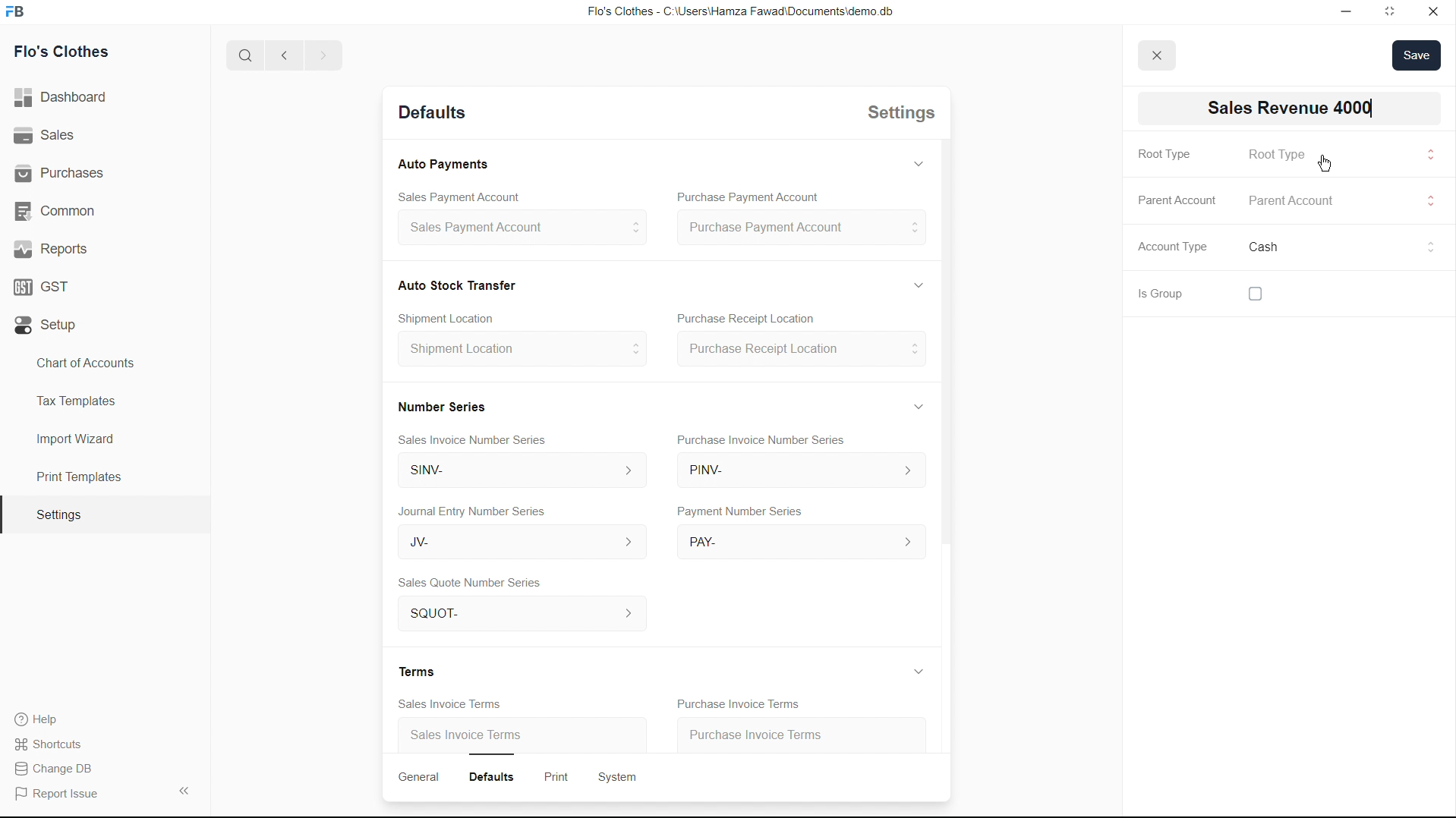 The height and width of the screenshot is (818, 1456). What do you see at coordinates (736, 512) in the screenshot?
I see `Payment Number Series` at bounding box center [736, 512].